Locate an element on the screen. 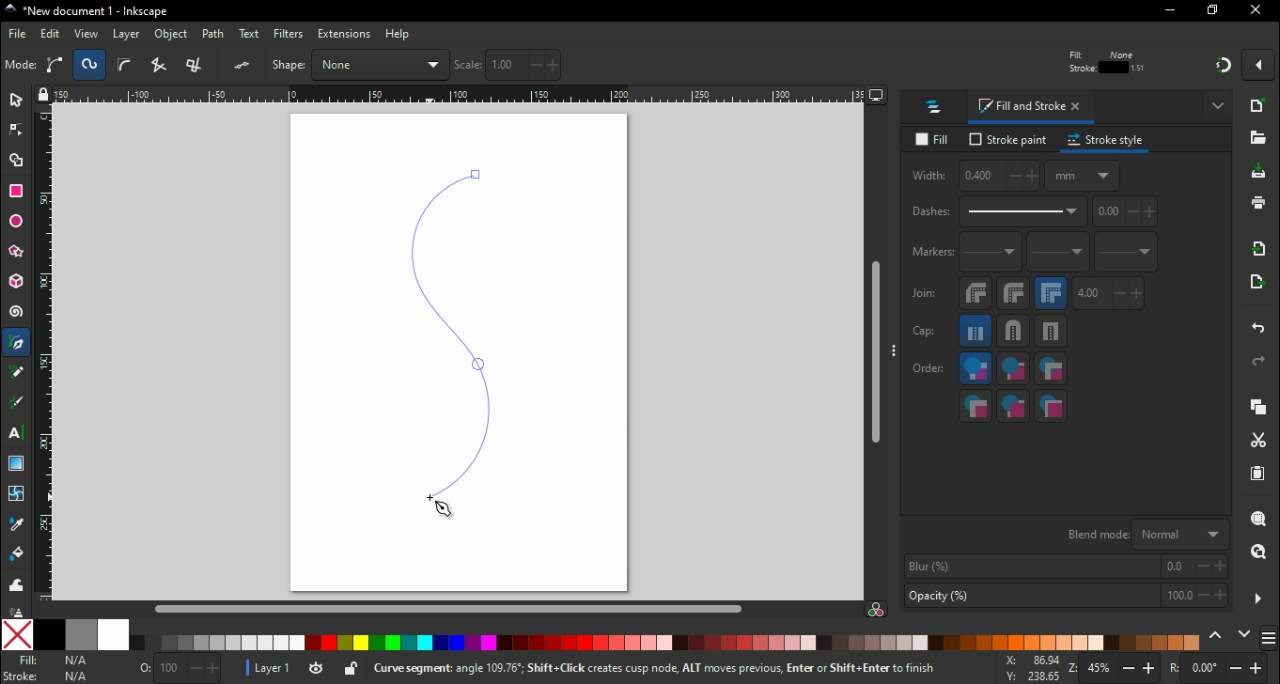  blur is located at coordinates (1067, 566).